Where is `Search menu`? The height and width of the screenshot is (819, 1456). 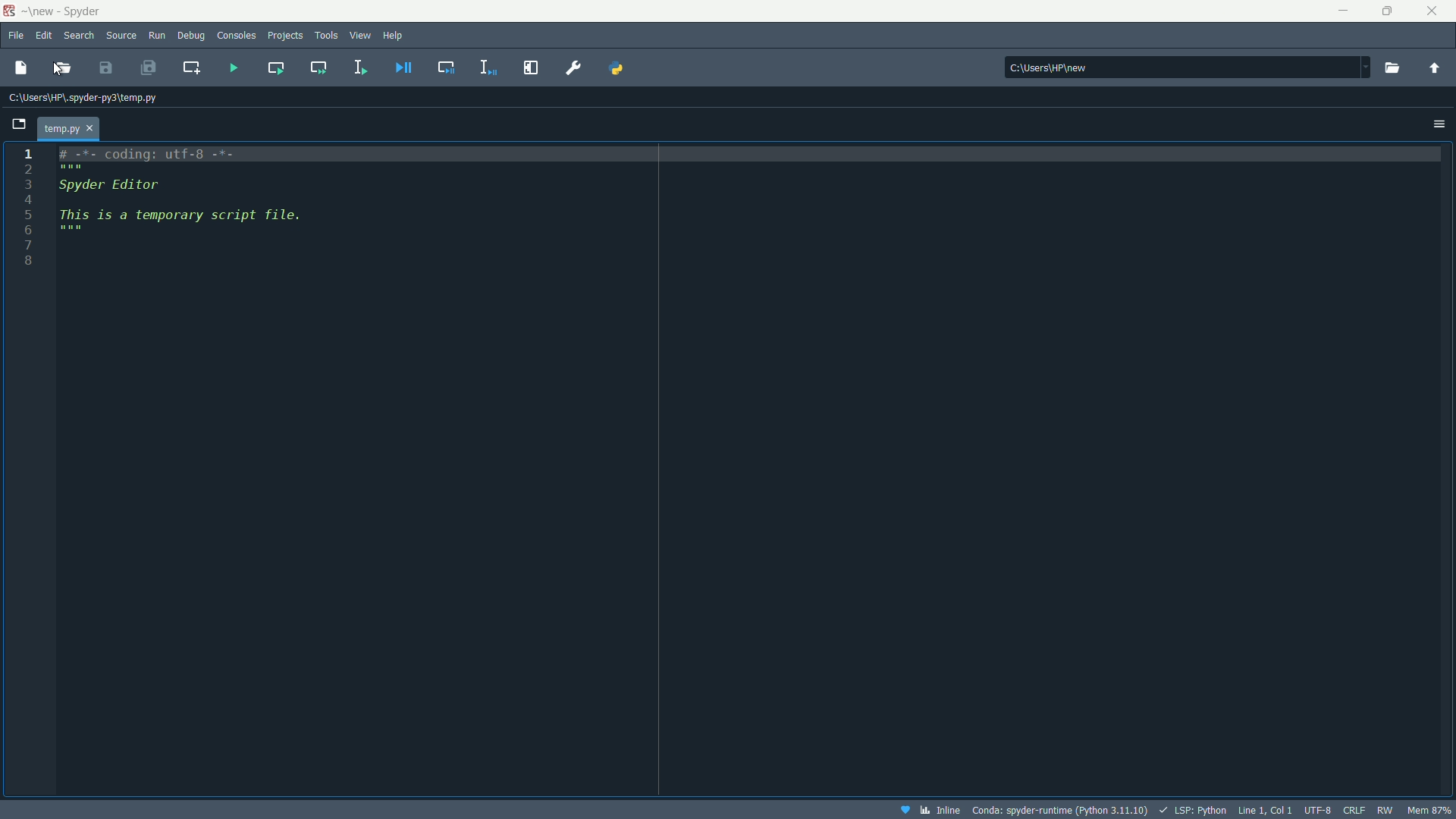 Search menu is located at coordinates (78, 36).